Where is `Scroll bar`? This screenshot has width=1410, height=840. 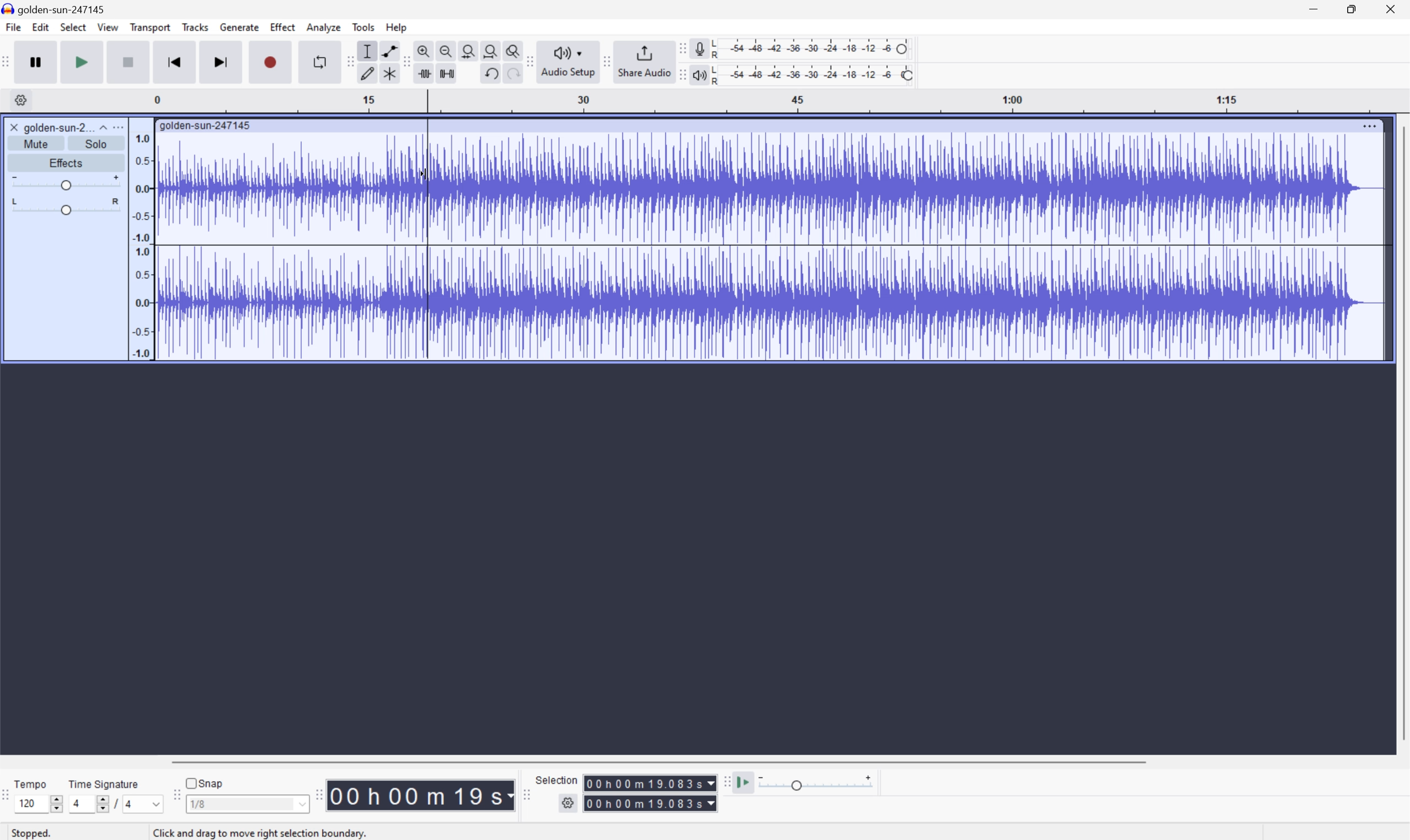
Scroll bar is located at coordinates (656, 761).